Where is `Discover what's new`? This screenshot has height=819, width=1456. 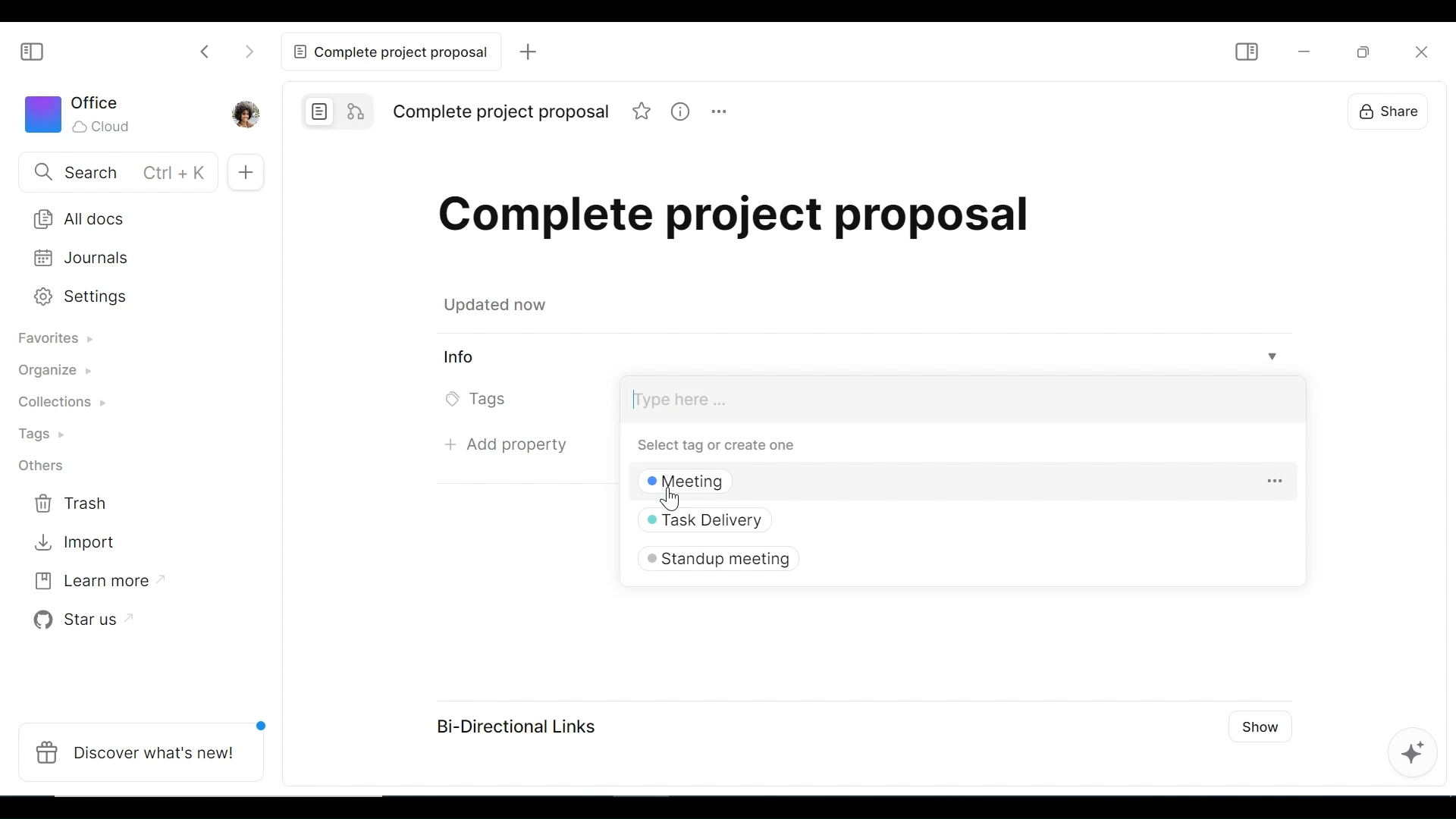 Discover what's new is located at coordinates (143, 752).